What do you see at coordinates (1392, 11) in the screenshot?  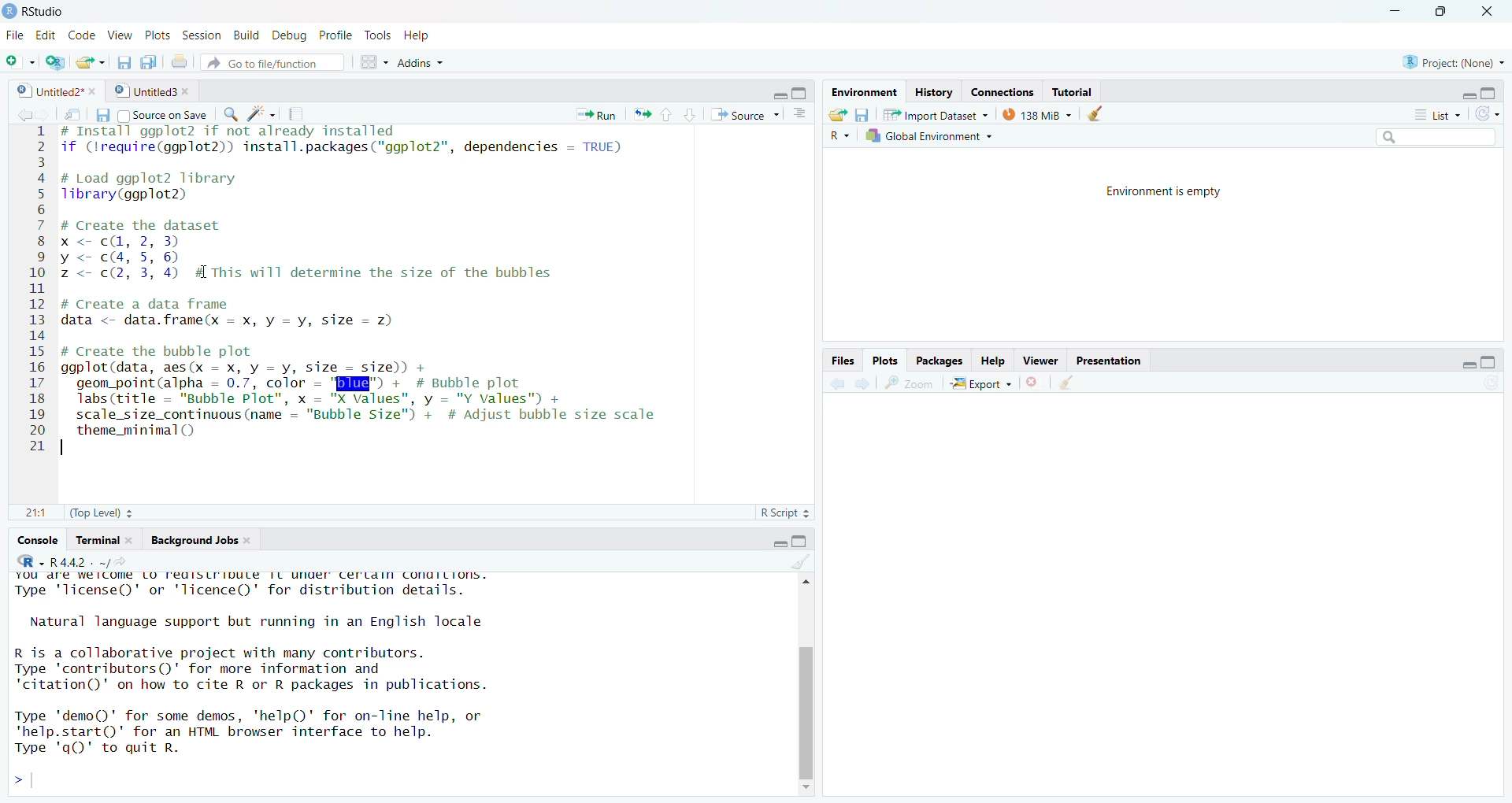 I see `minimize` at bounding box center [1392, 11].